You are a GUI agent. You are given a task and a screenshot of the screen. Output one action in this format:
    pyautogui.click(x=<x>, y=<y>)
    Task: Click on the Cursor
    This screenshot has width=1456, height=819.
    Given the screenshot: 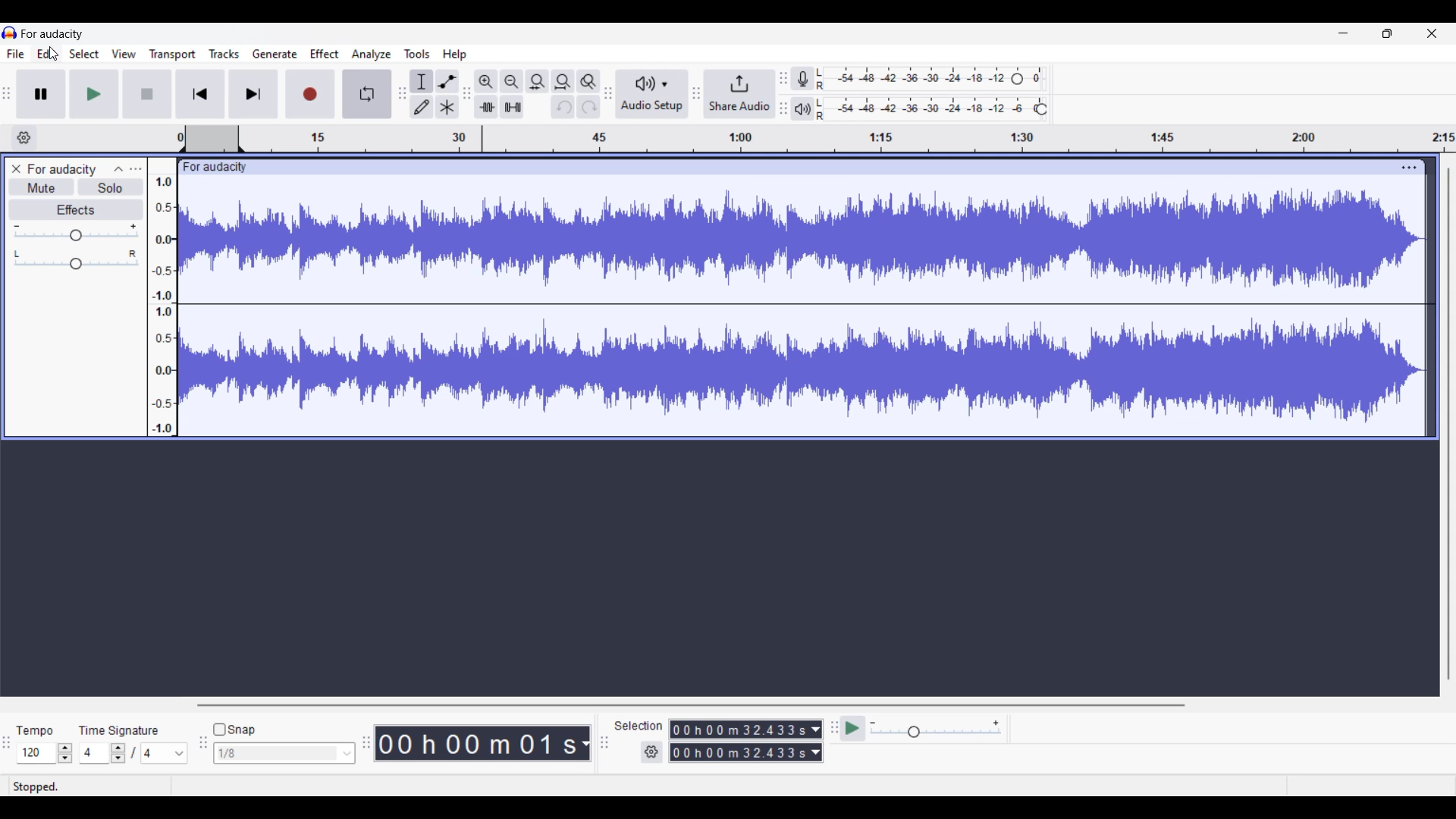 What is the action you would take?
    pyautogui.click(x=54, y=53)
    